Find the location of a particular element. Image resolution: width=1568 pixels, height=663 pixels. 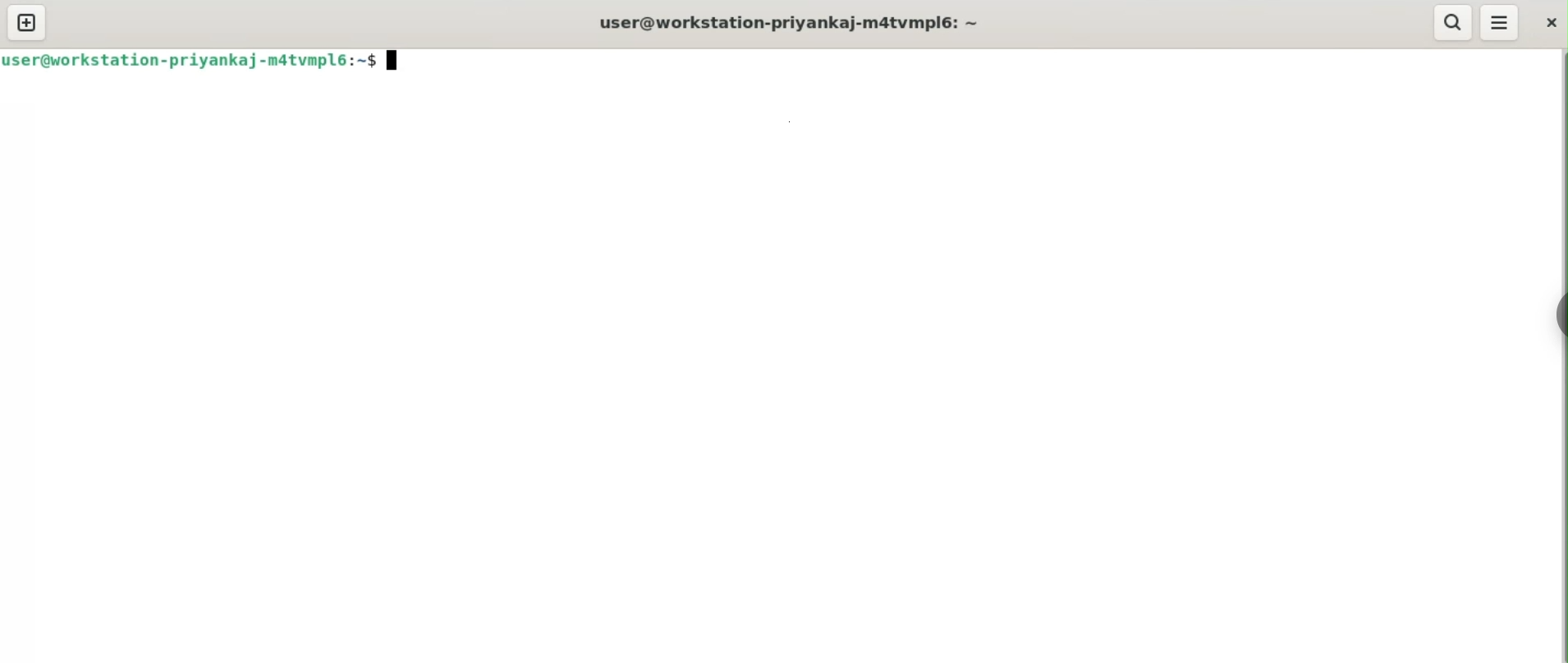

new tab is located at coordinates (25, 23).